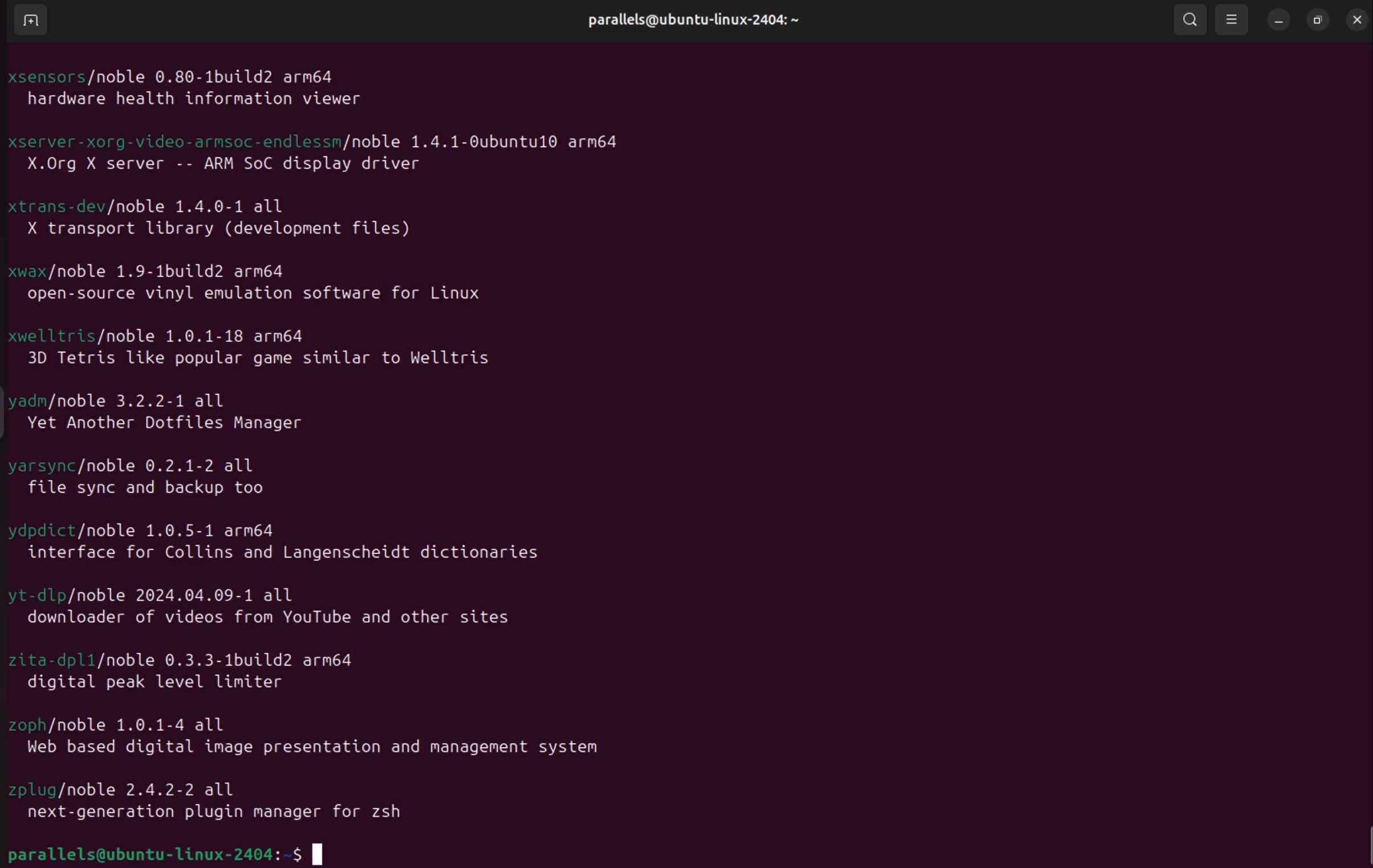  I want to click on xwelltris/noble 1.0.1-18 armé64
3D Tetris like popular game similar to Welltris, so click(260, 350).